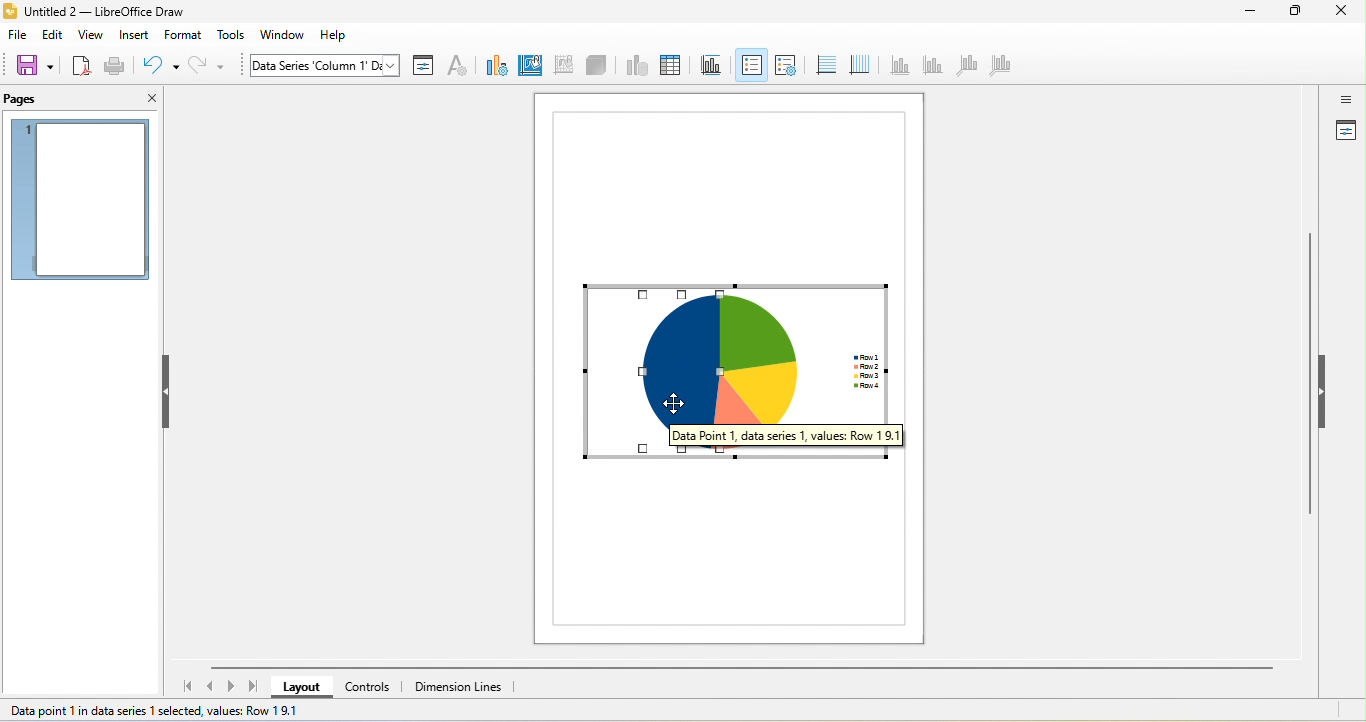 The image size is (1366, 722). What do you see at coordinates (634, 66) in the screenshot?
I see `data ranges` at bounding box center [634, 66].